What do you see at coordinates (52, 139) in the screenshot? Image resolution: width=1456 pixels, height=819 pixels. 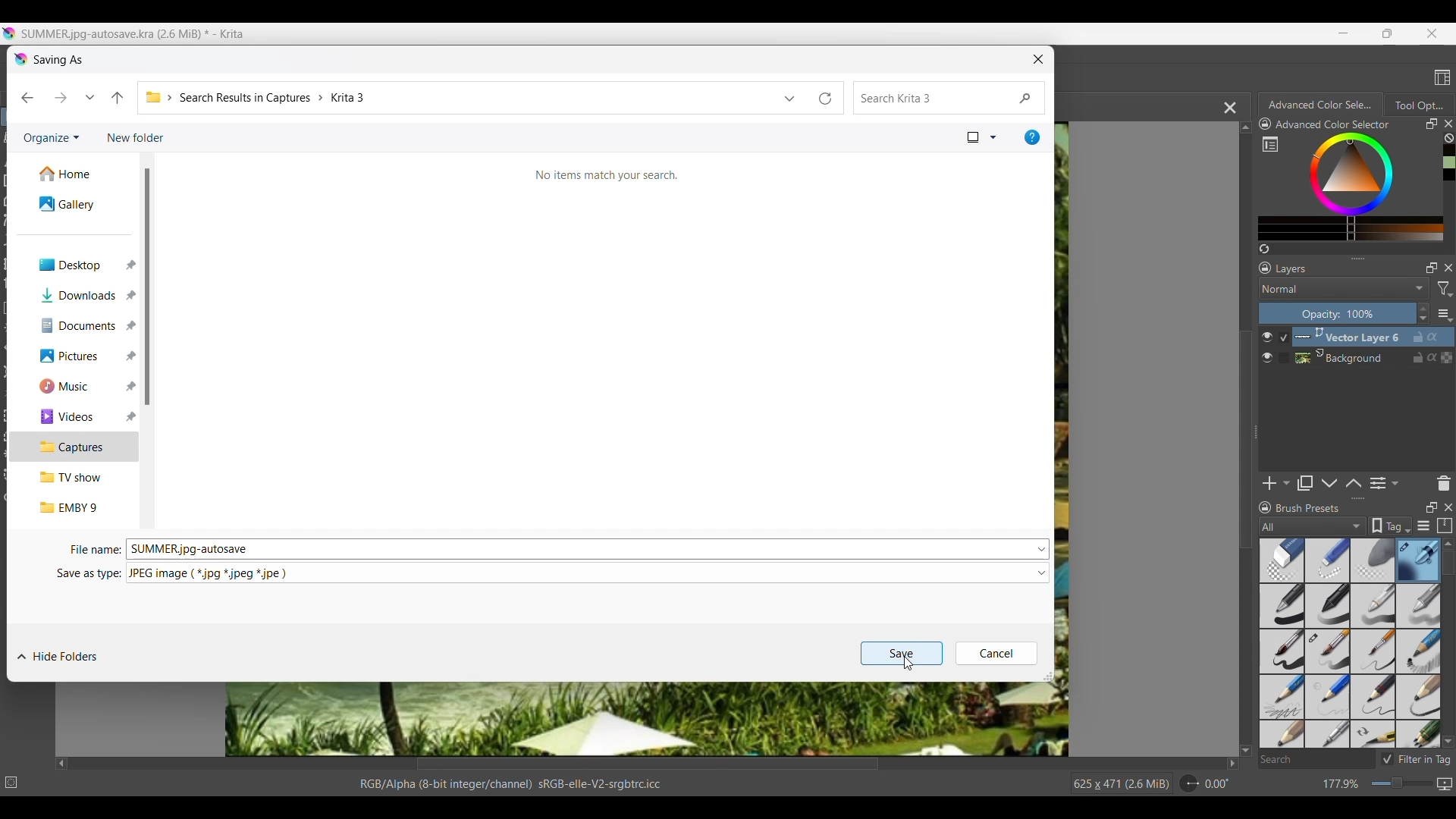 I see `Organize folder options` at bounding box center [52, 139].